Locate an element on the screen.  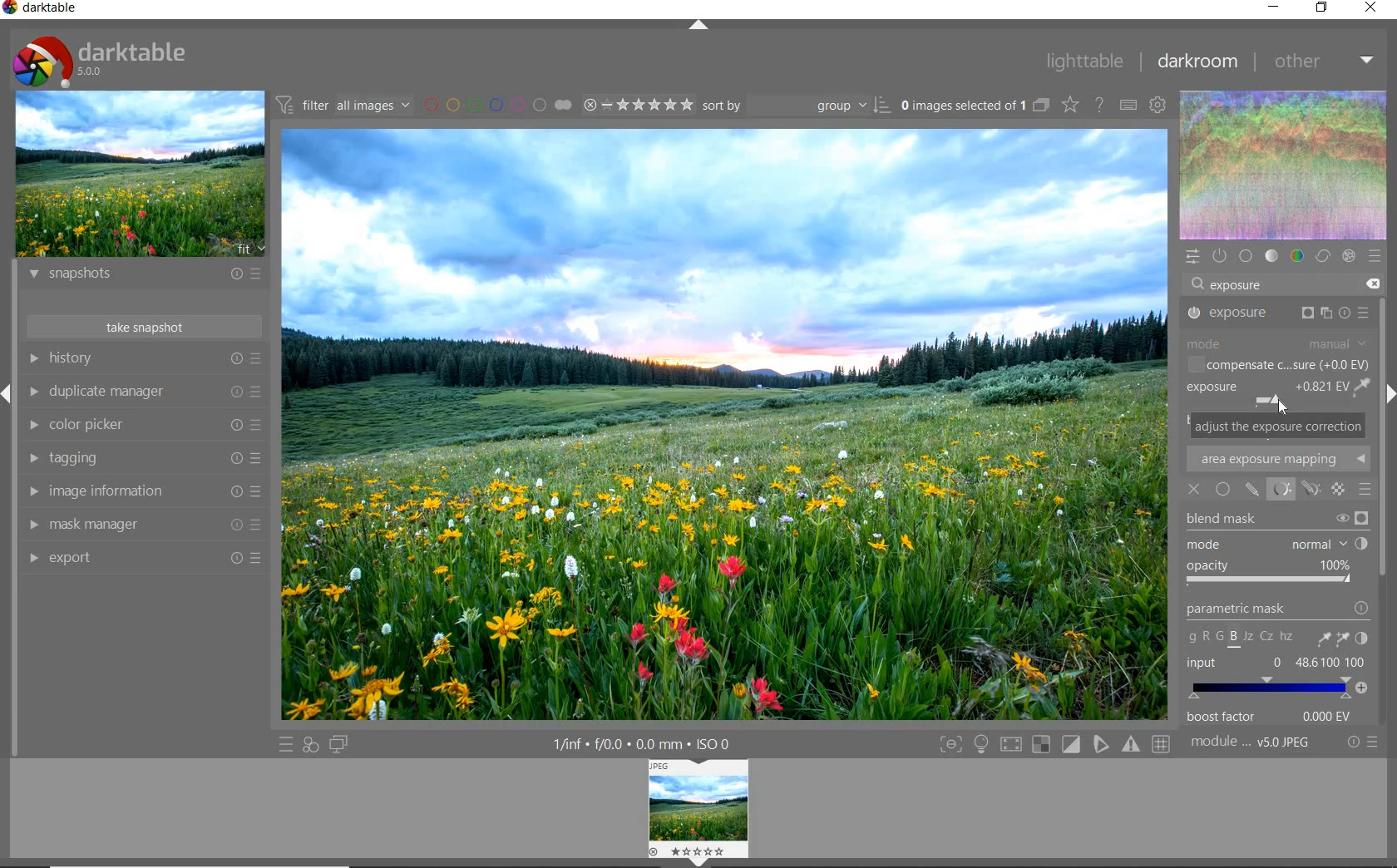
blend mask is located at coordinates (1276, 521).